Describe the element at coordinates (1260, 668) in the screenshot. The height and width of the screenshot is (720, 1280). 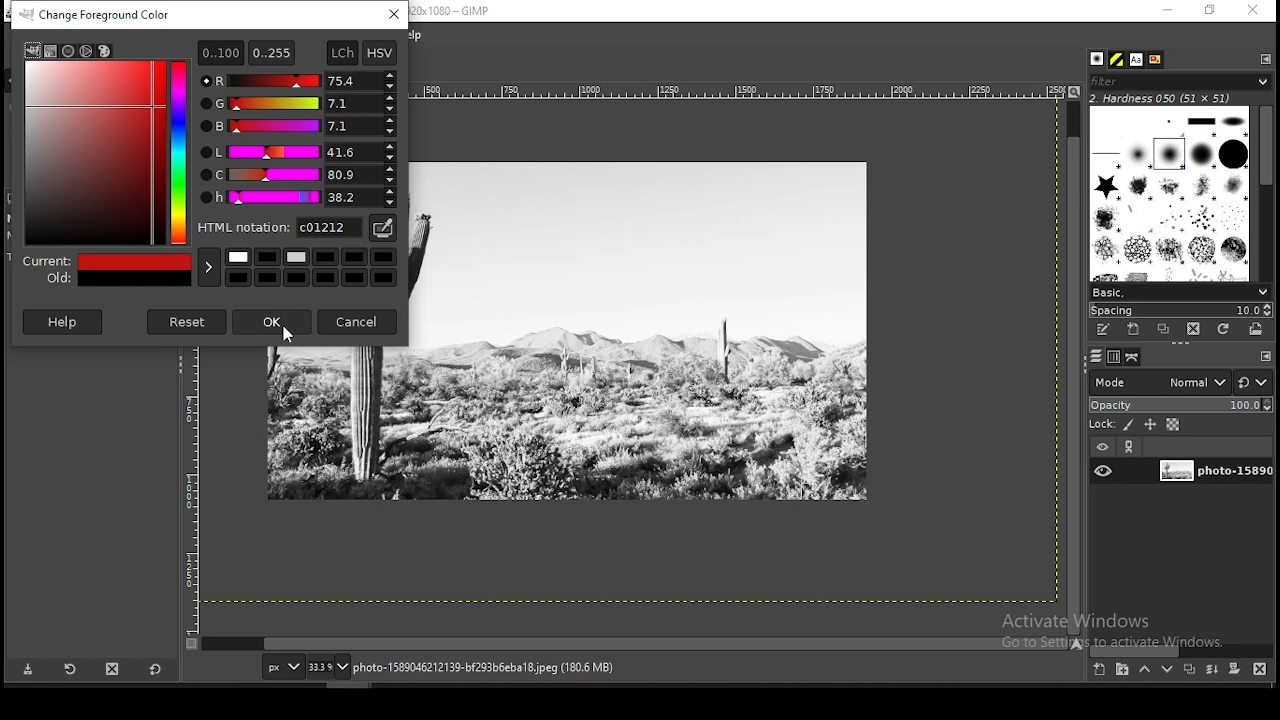
I see `delete this layer` at that location.